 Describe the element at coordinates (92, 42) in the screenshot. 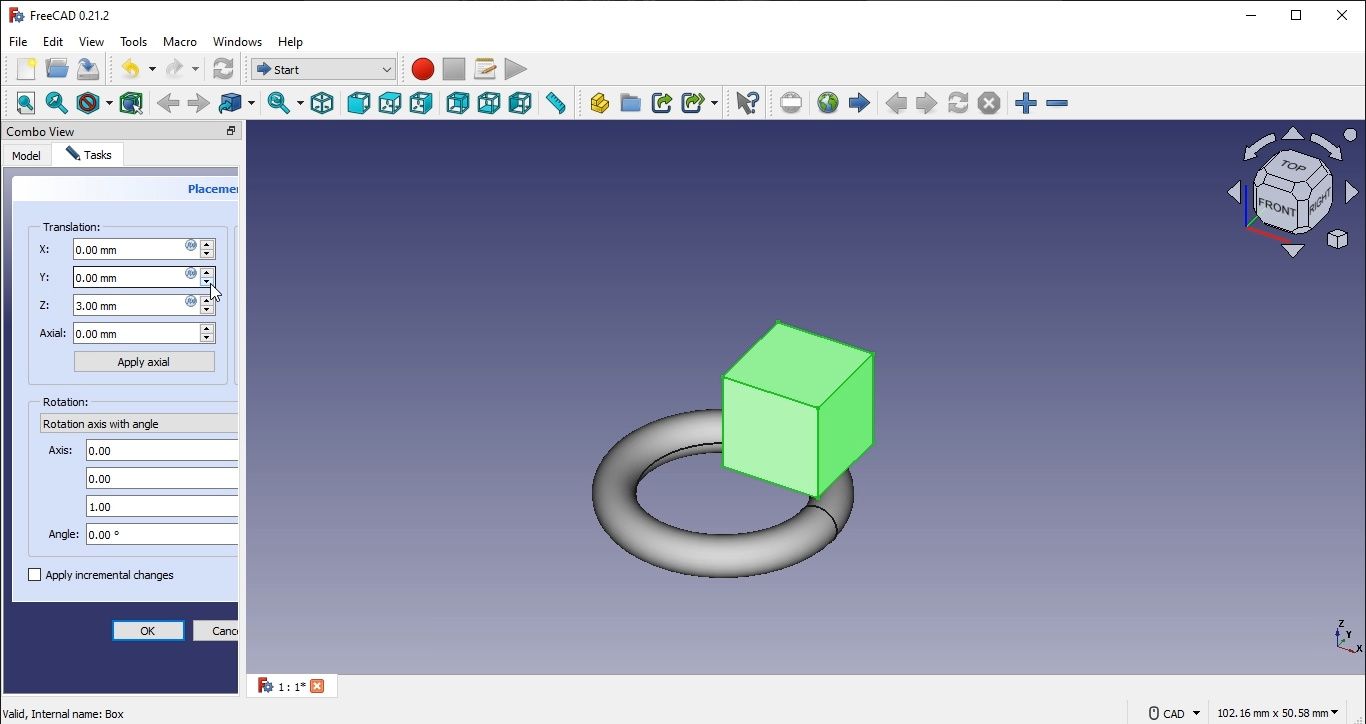

I see `view` at that location.